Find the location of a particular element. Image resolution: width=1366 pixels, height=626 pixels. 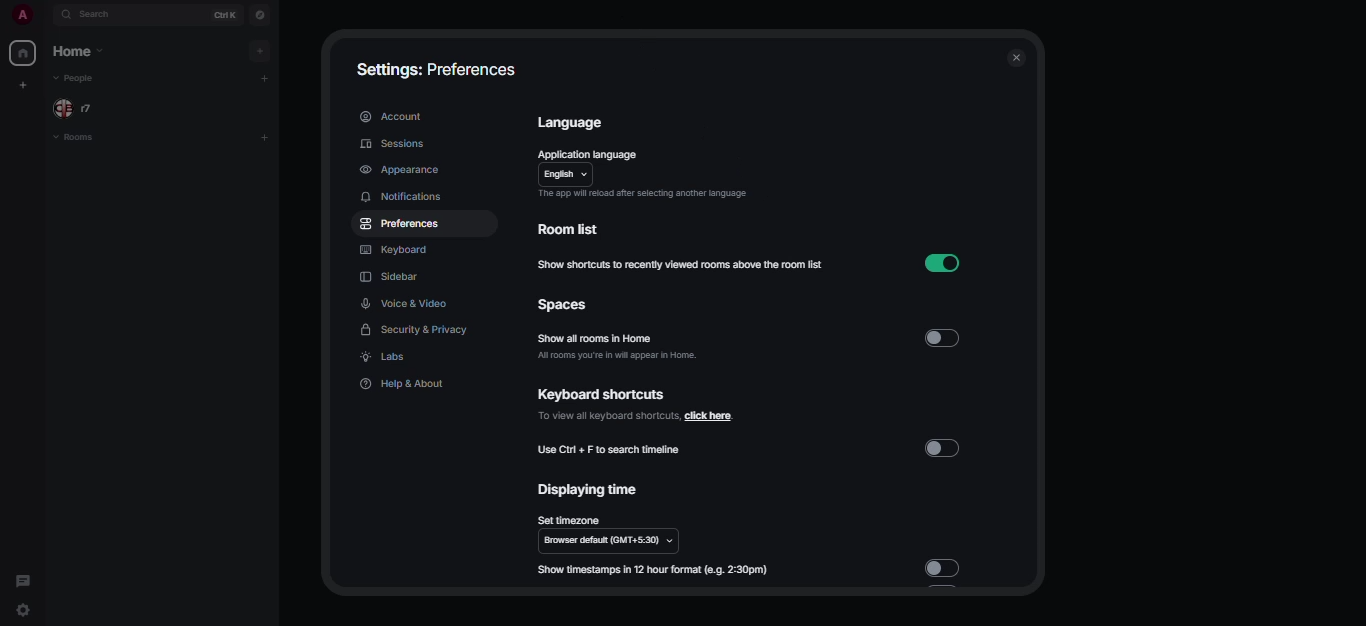

quick settings is located at coordinates (25, 609).